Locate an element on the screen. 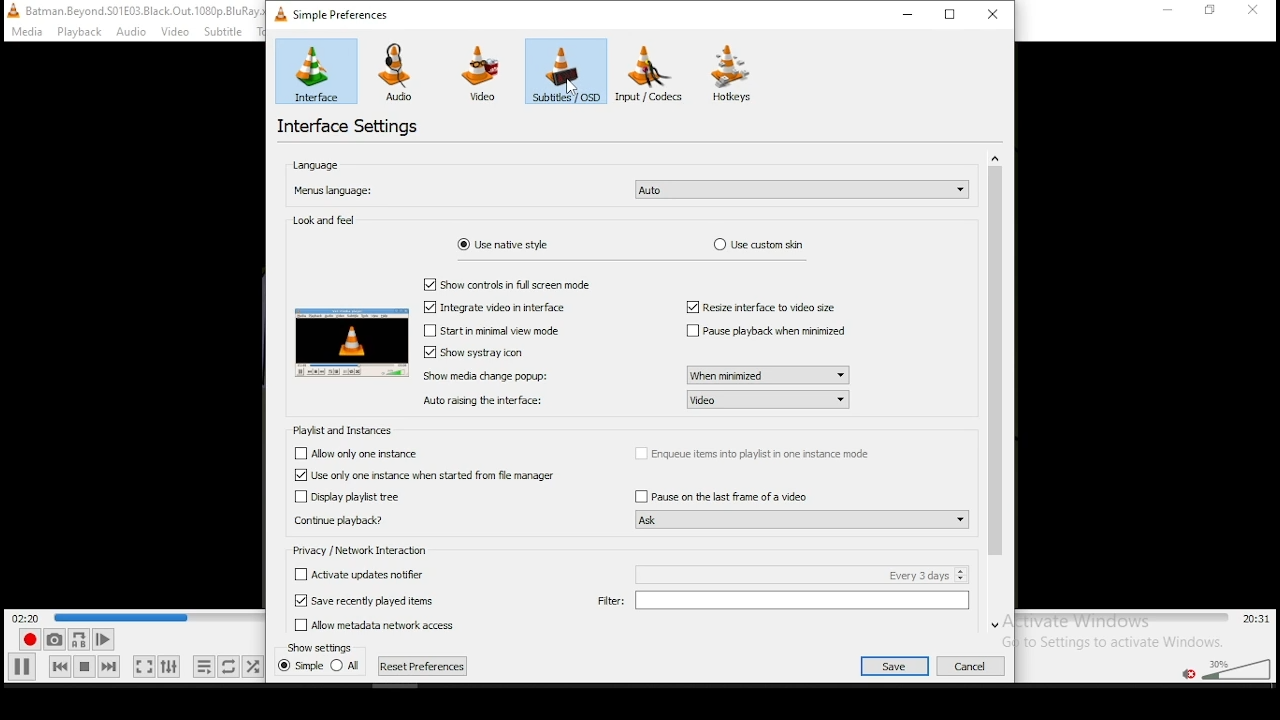 The image size is (1280, 720). checkbox: allow only one instance is located at coordinates (366, 454).